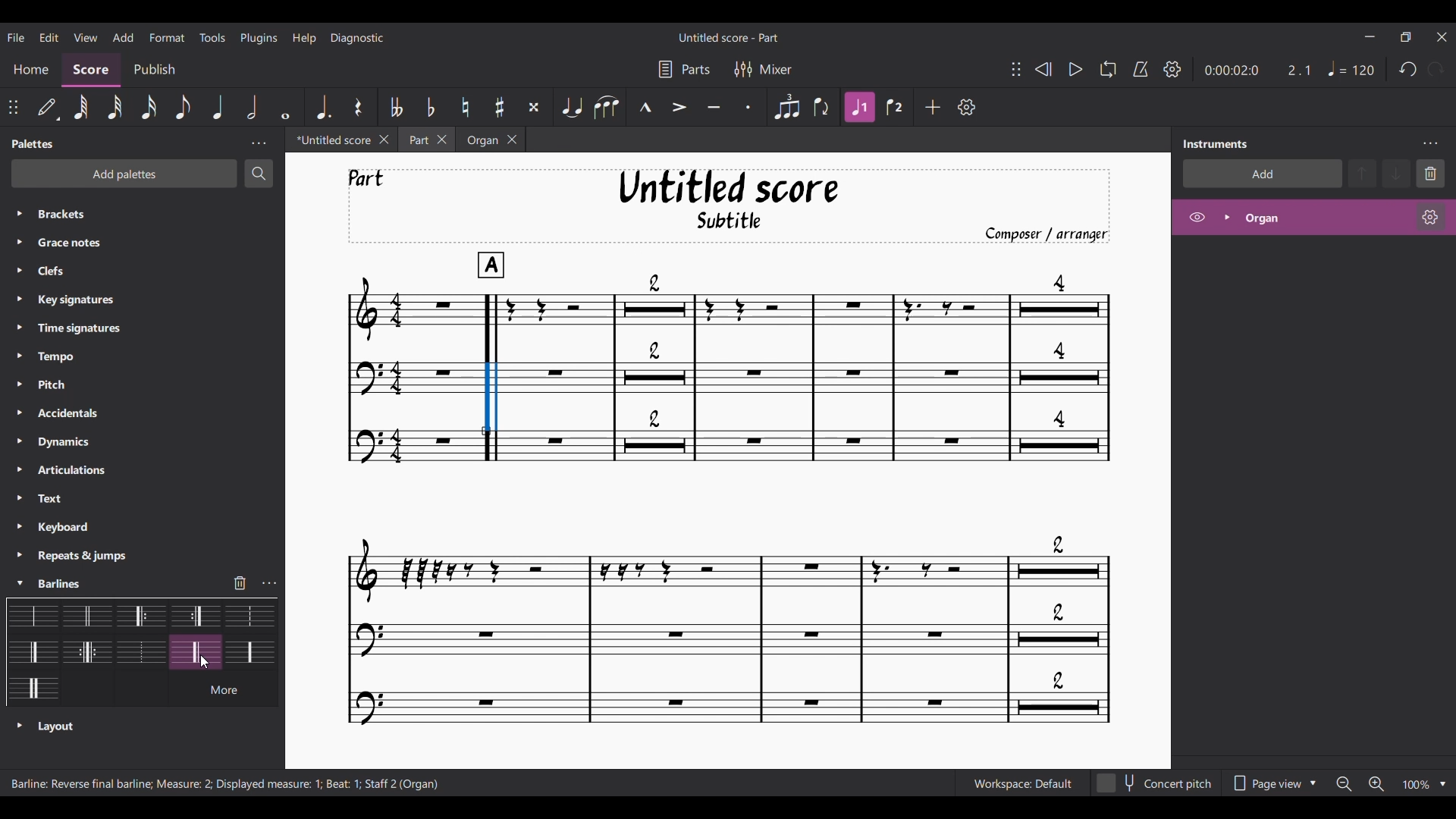 The width and height of the screenshot is (1456, 819). Describe the element at coordinates (430, 106) in the screenshot. I see `Toggle flat` at that location.